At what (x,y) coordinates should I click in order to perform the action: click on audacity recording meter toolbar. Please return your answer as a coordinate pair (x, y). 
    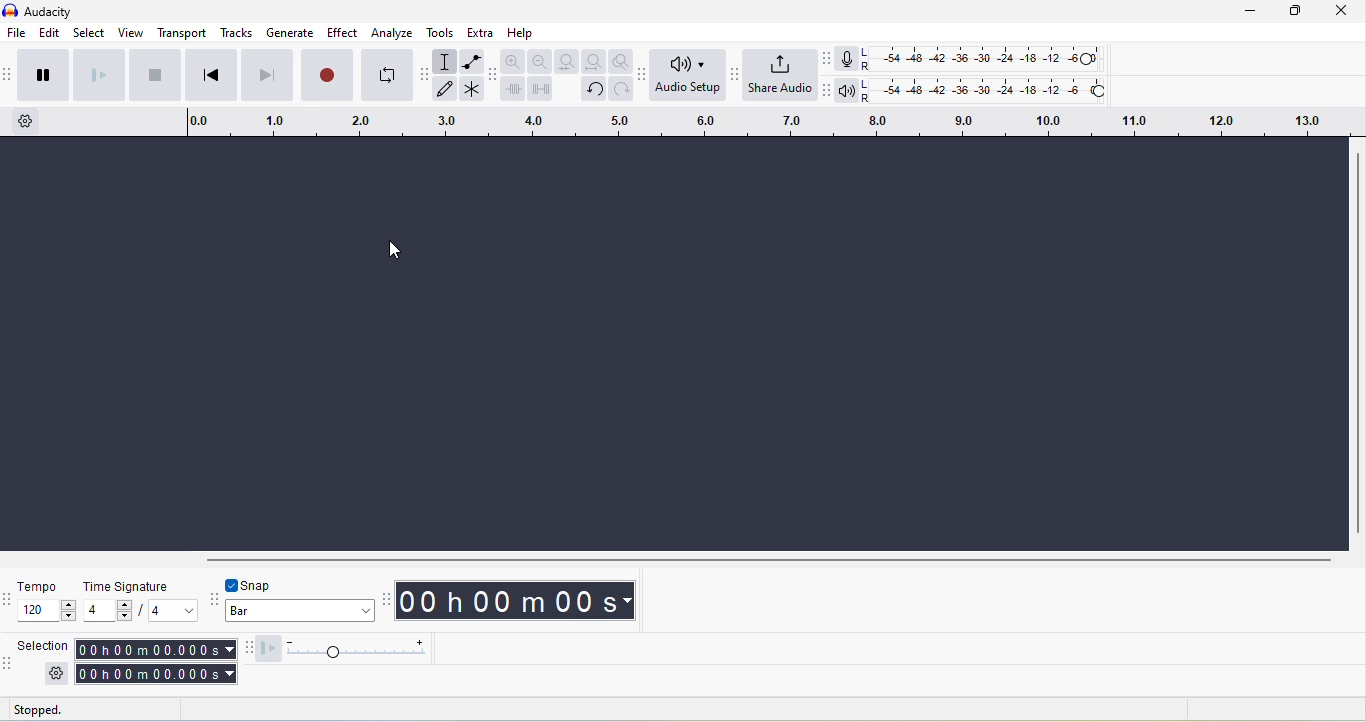
    Looking at the image, I should click on (829, 63).